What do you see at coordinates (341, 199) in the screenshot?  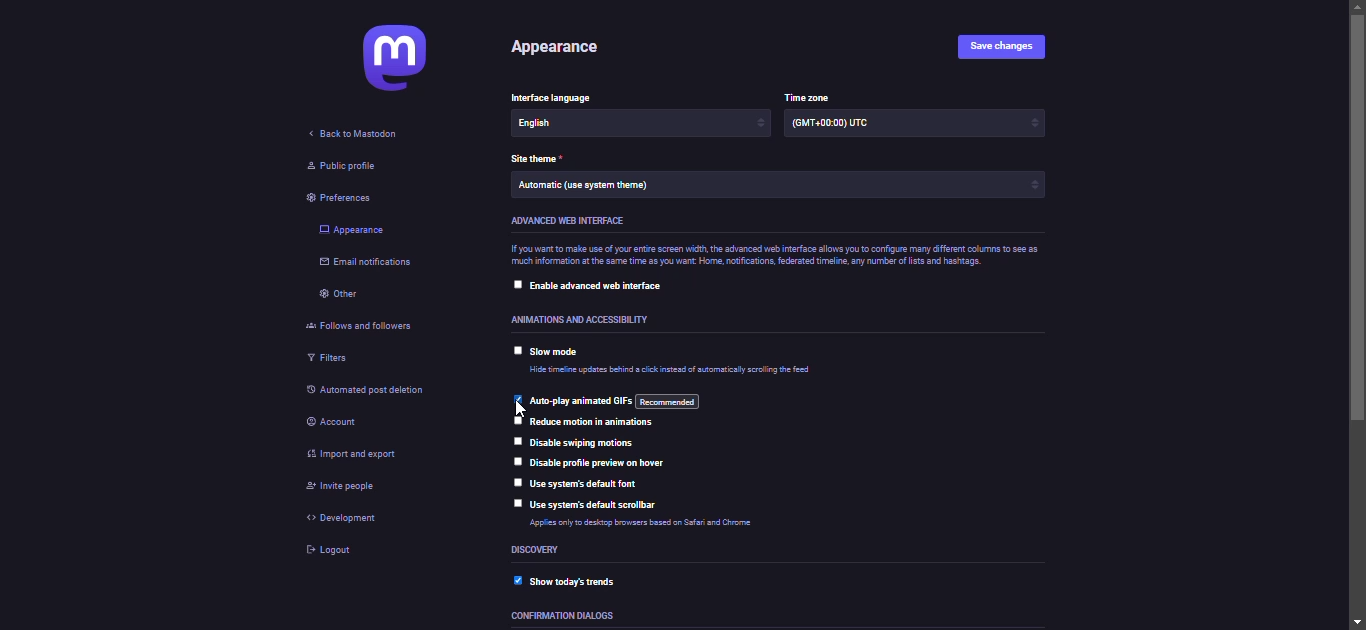 I see `preferences` at bounding box center [341, 199].